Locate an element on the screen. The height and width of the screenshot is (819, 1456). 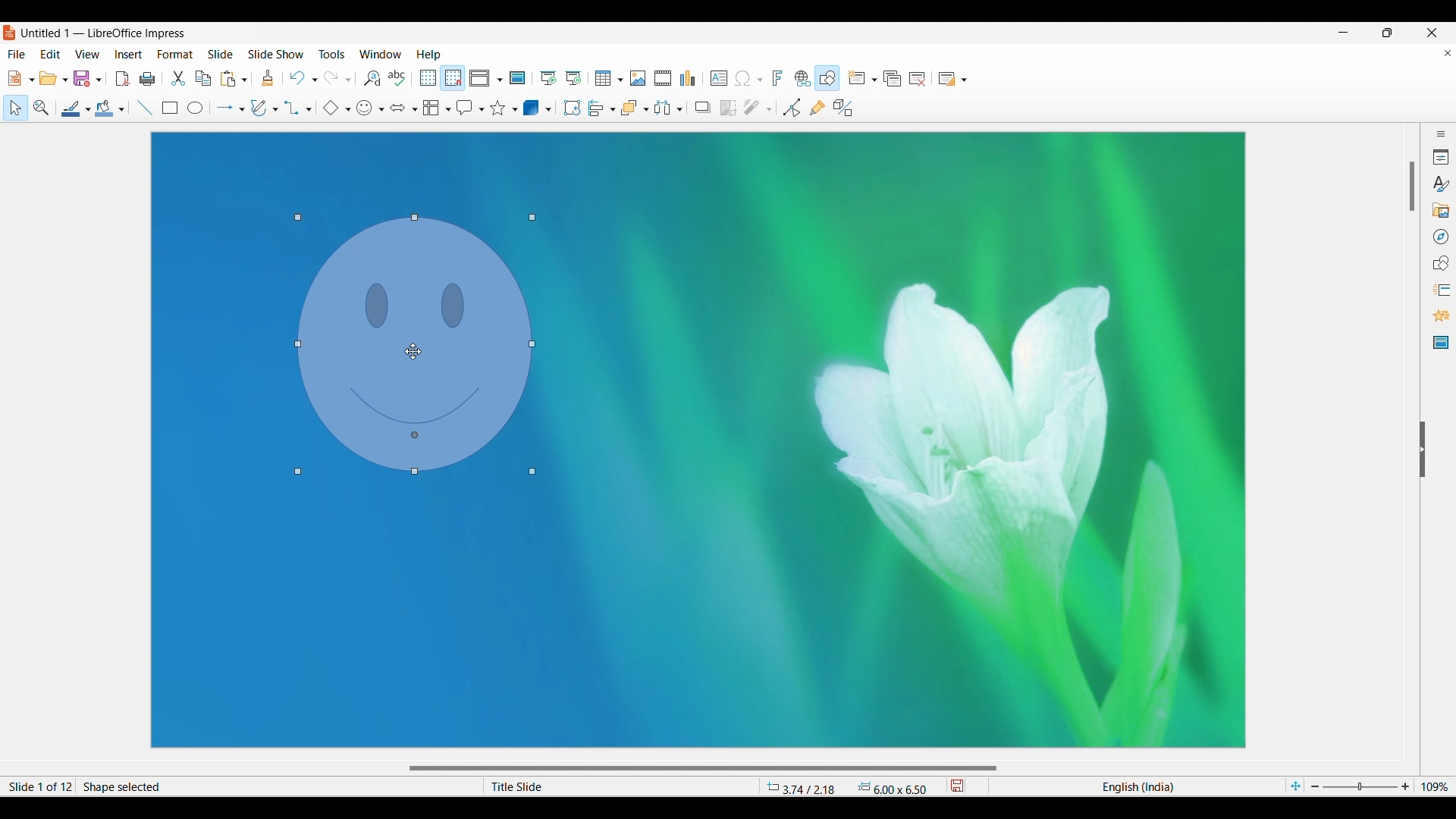
Slide layout is located at coordinates (947, 79).